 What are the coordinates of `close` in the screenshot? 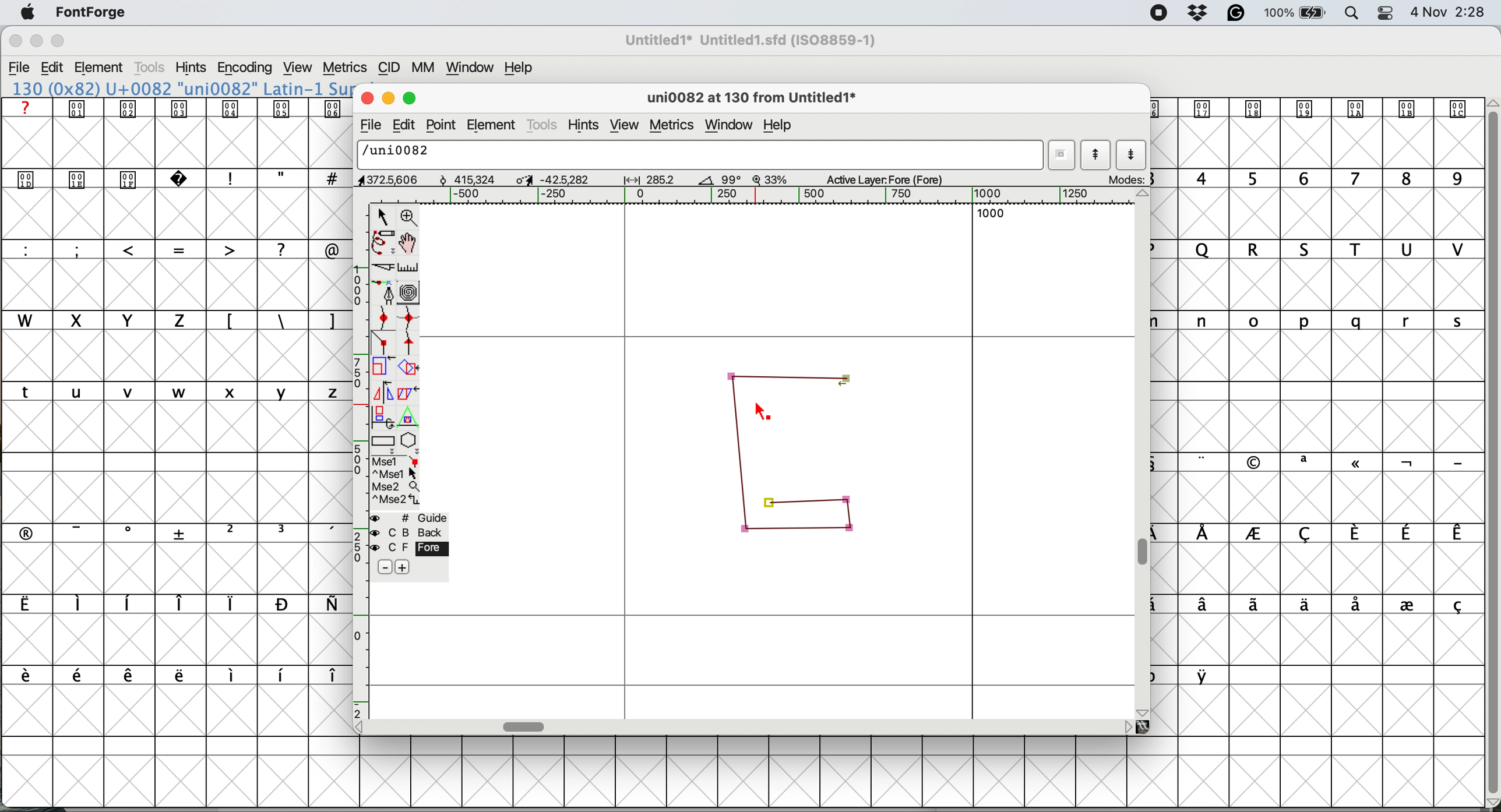 It's located at (15, 41).